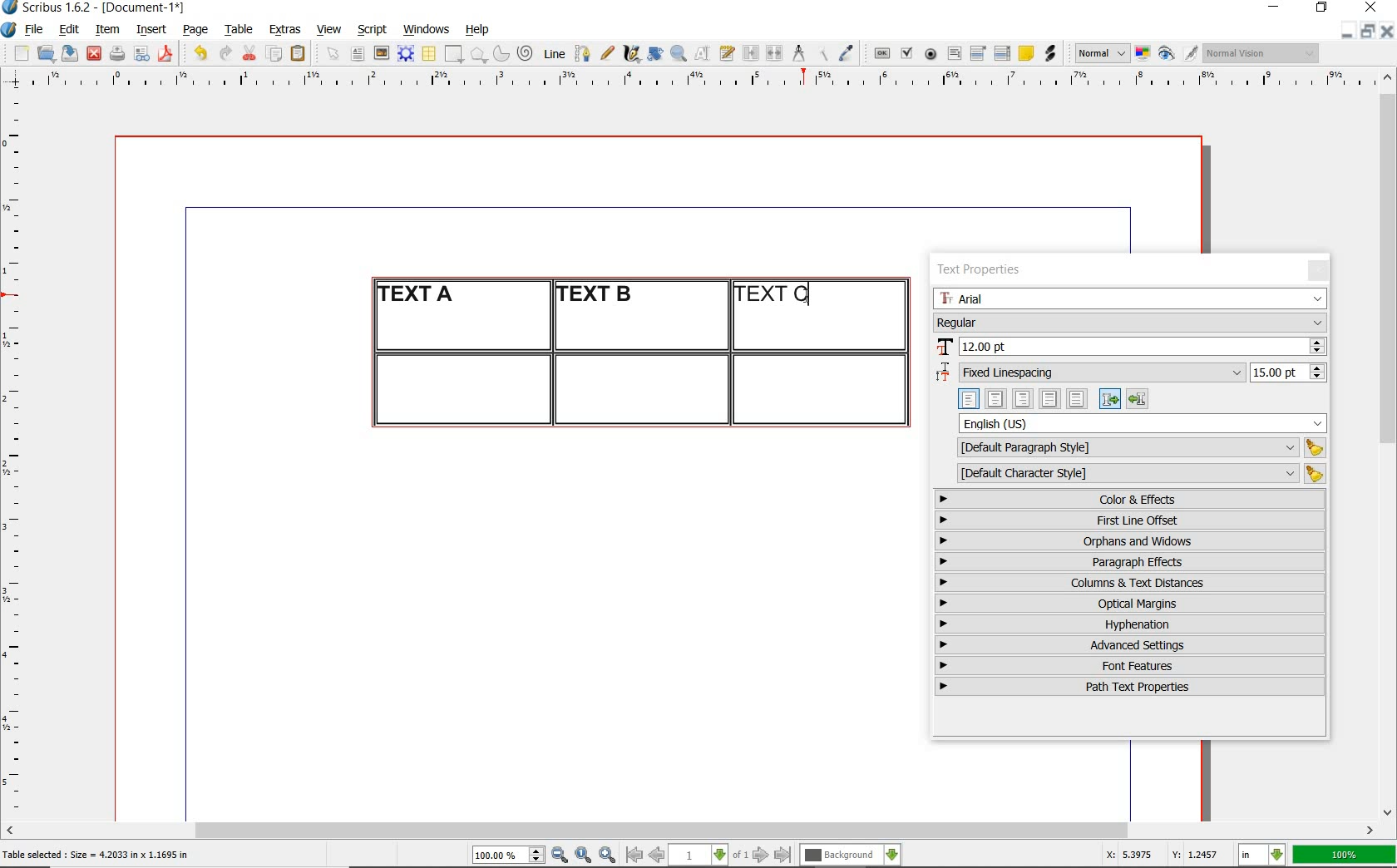 The width and height of the screenshot is (1397, 868). What do you see at coordinates (1138, 448) in the screenshot?
I see `default paragraph style` at bounding box center [1138, 448].